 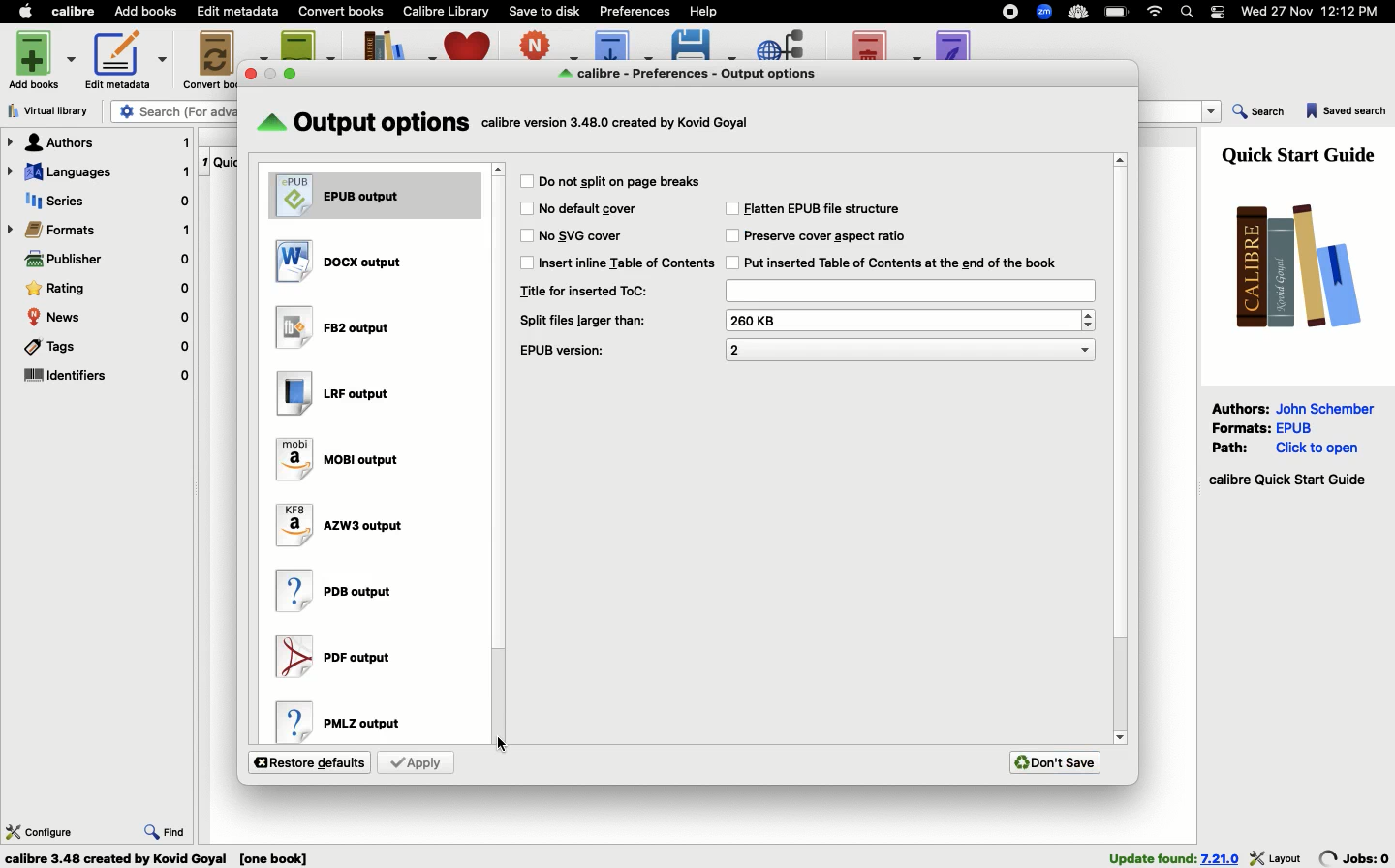 I want to click on Insert inline table of contents, so click(x=630, y=262).